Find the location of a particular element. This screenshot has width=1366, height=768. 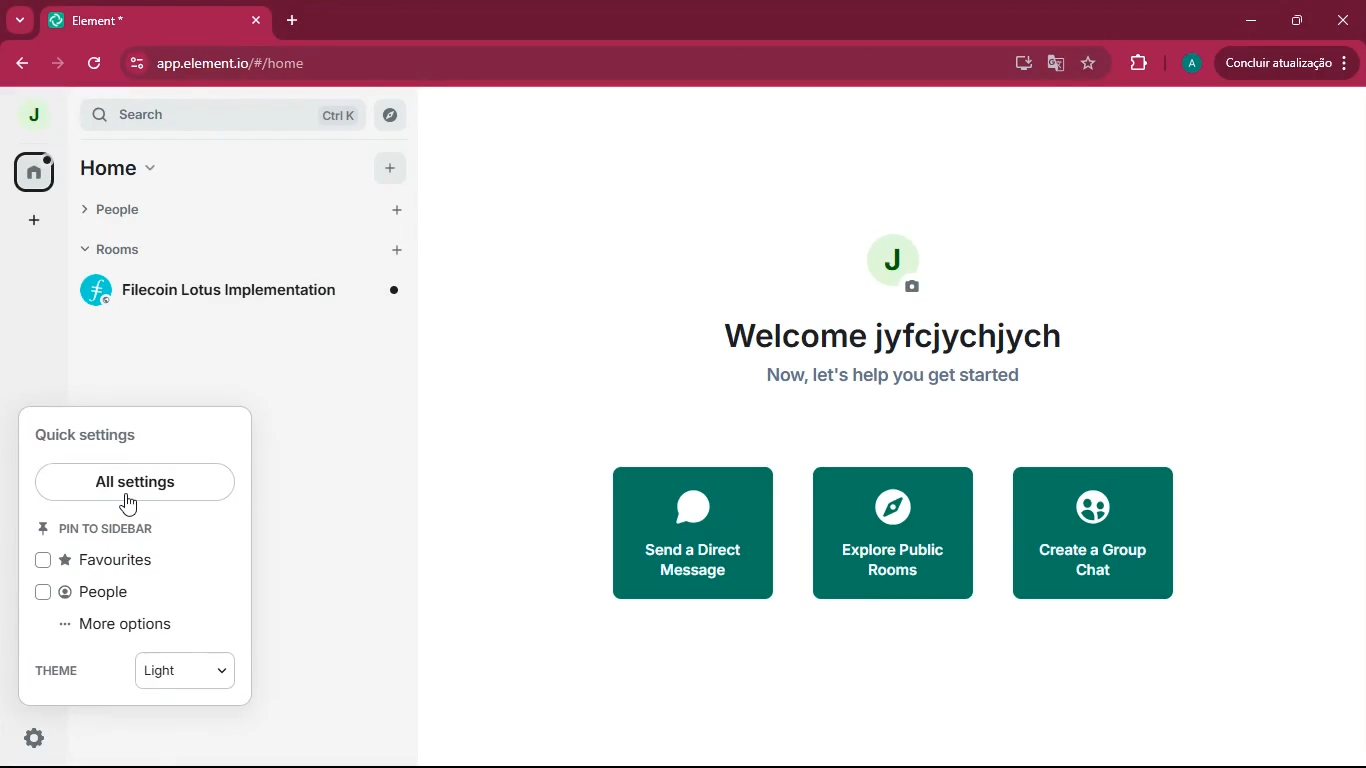

explore is located at coordinates (897, 532).